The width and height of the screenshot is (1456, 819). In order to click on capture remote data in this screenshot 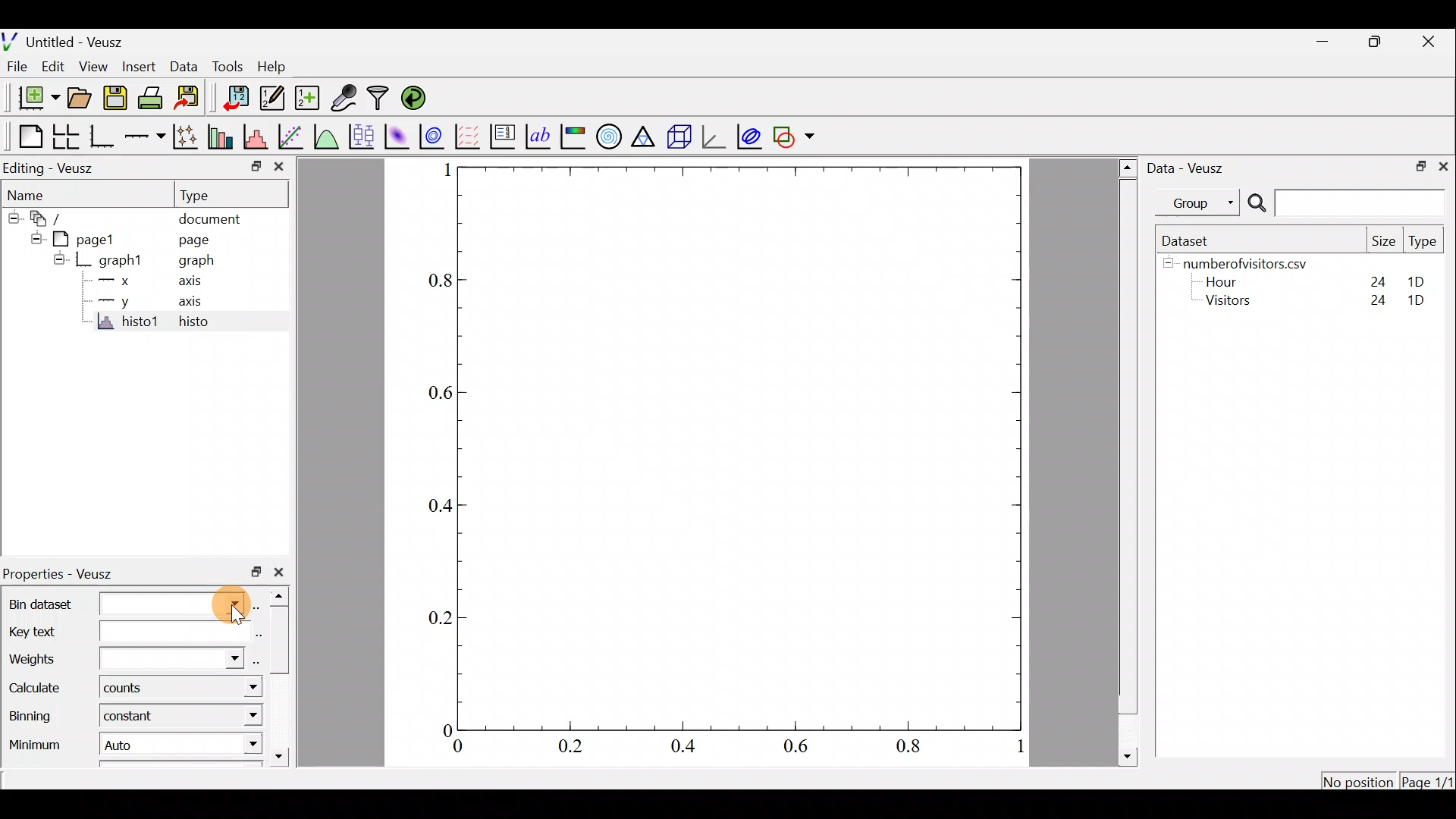, I will do `click(343, 98)`.